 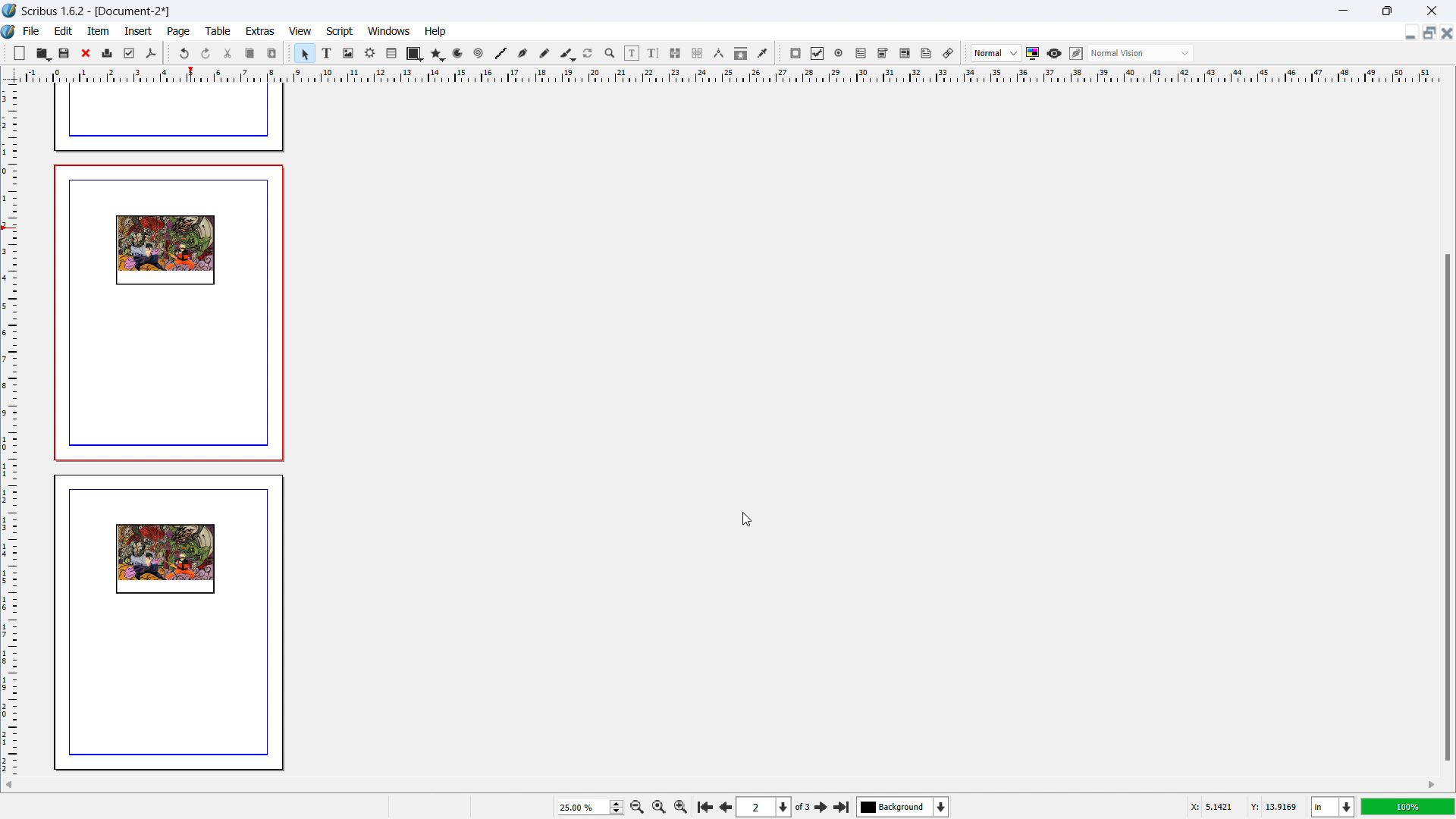 What do you see at coordinates (218, 31) in the screenshot?
I see `table` at bounding box center [218, 31].